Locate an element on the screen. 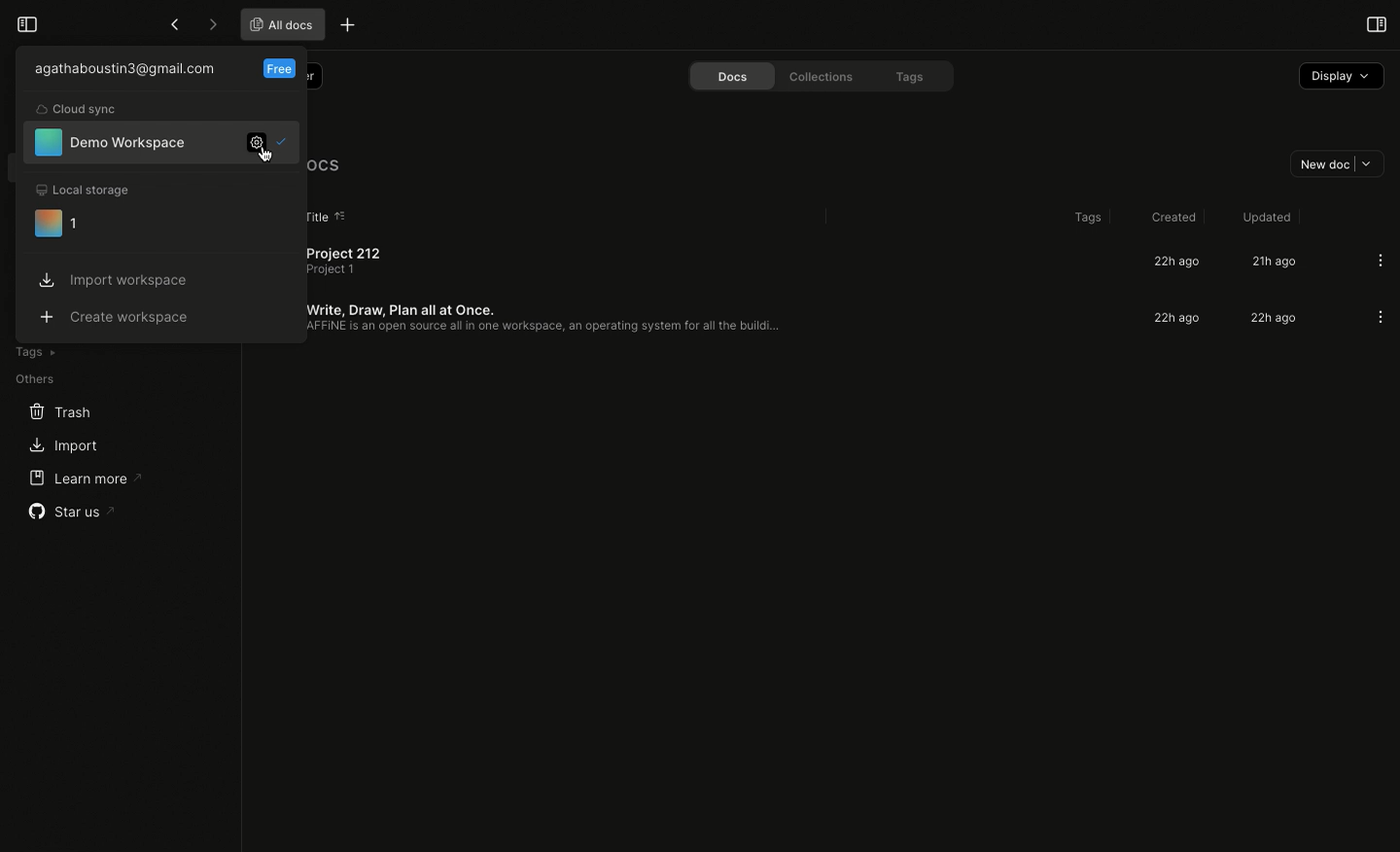 Image resolution: width=1400 pixels, height=852 pixels. 22h ago is located at coordinates (1179, 318).